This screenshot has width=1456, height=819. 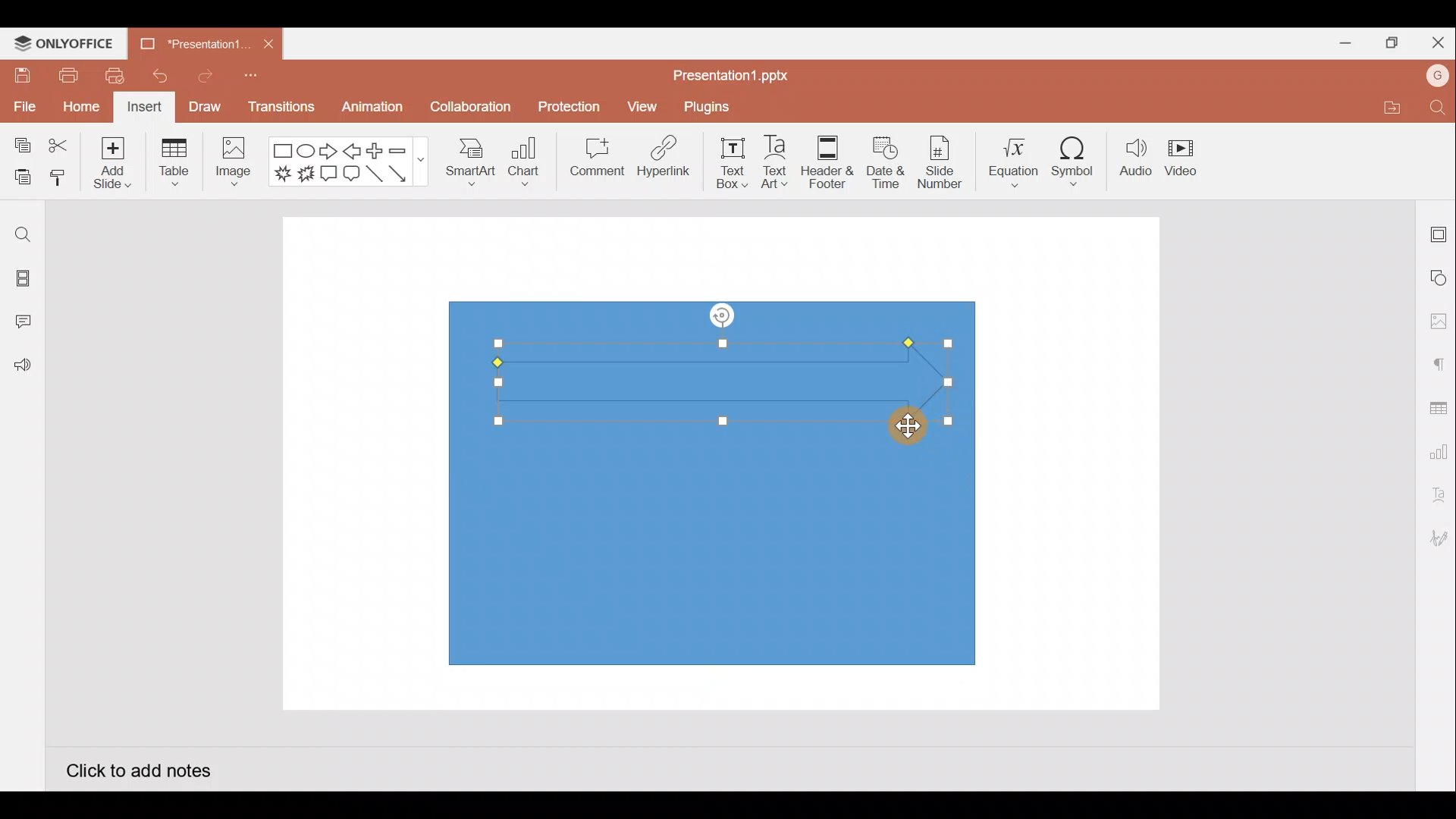 I want to click on Shape settings, so click(x=1439, y=277).